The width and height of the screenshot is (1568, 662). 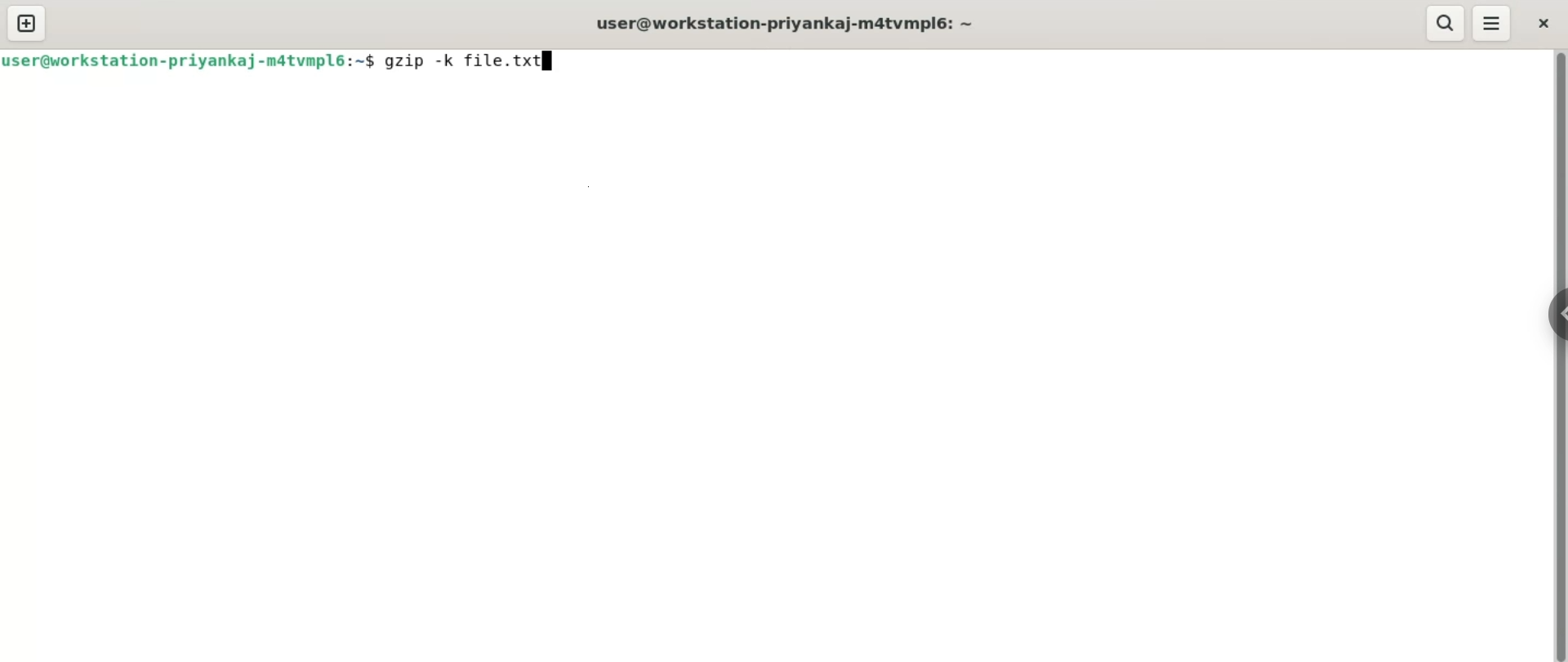 I want to click on new tab, so click(x=28, y=25).